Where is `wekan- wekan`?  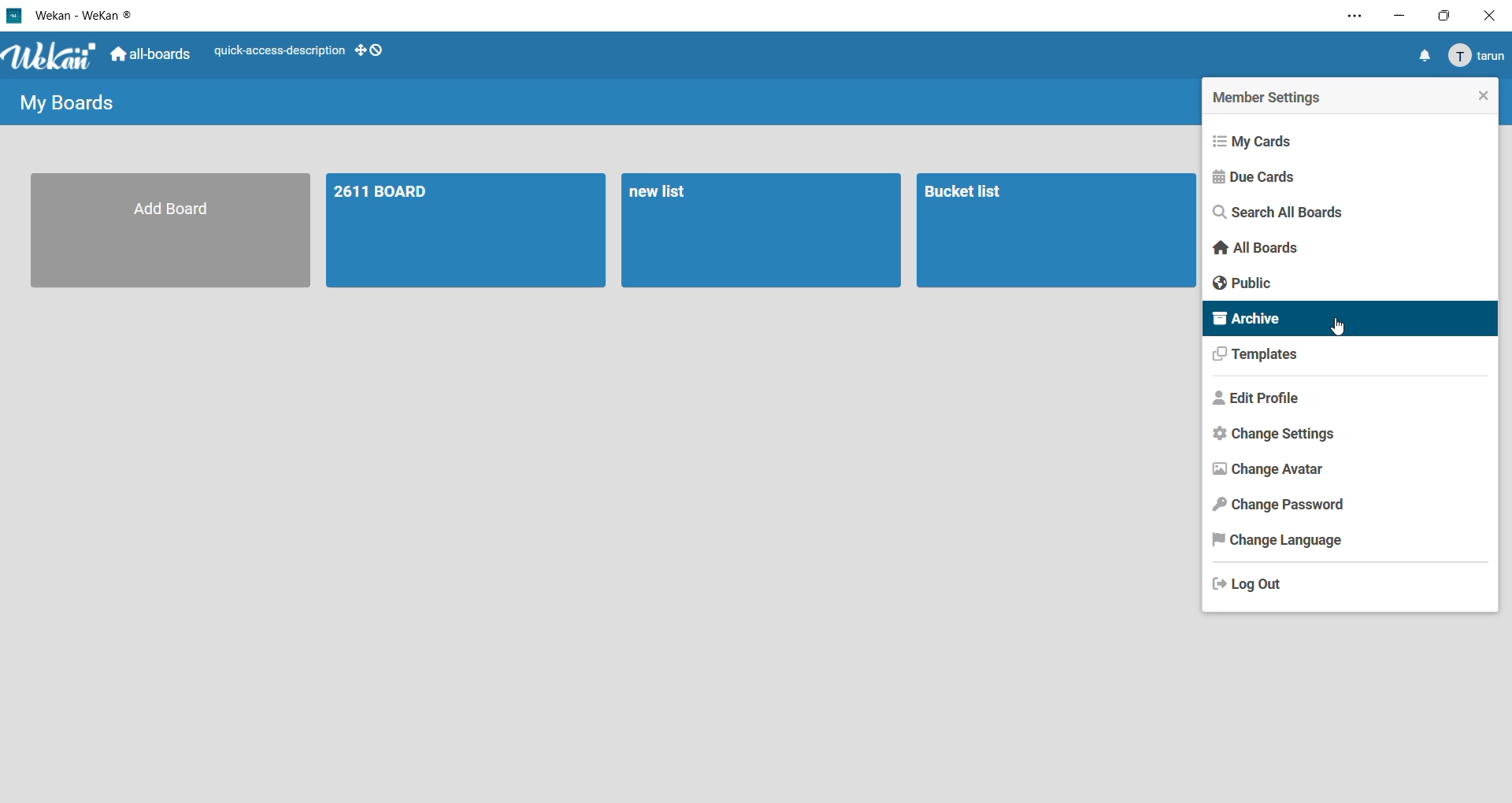 wekan- wekan is located at coordinates (69, 17).